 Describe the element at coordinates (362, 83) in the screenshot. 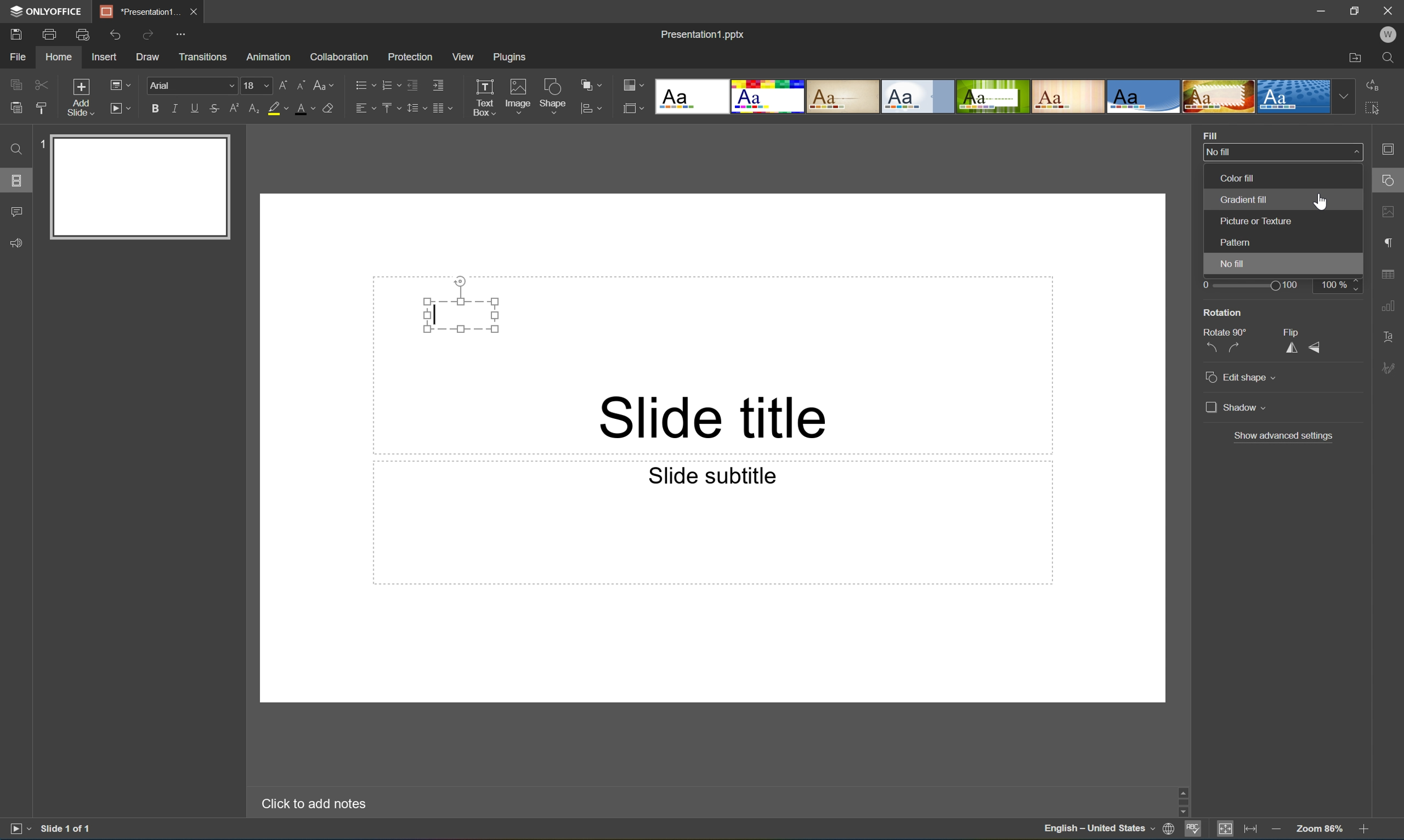

I see `Bullets` at that location.